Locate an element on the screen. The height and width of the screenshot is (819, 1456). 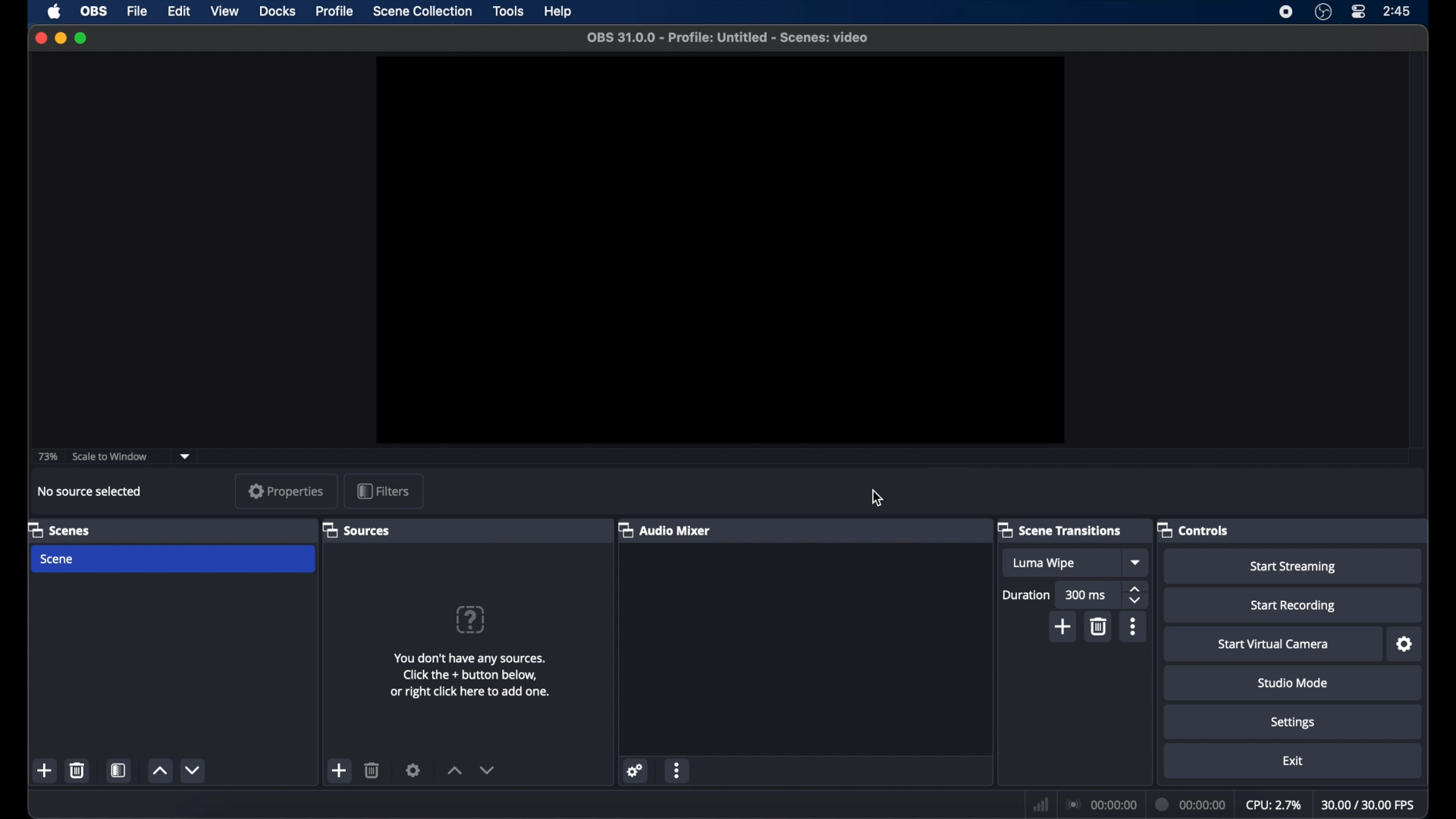
300 ms is located at coordinates (1088, 595).